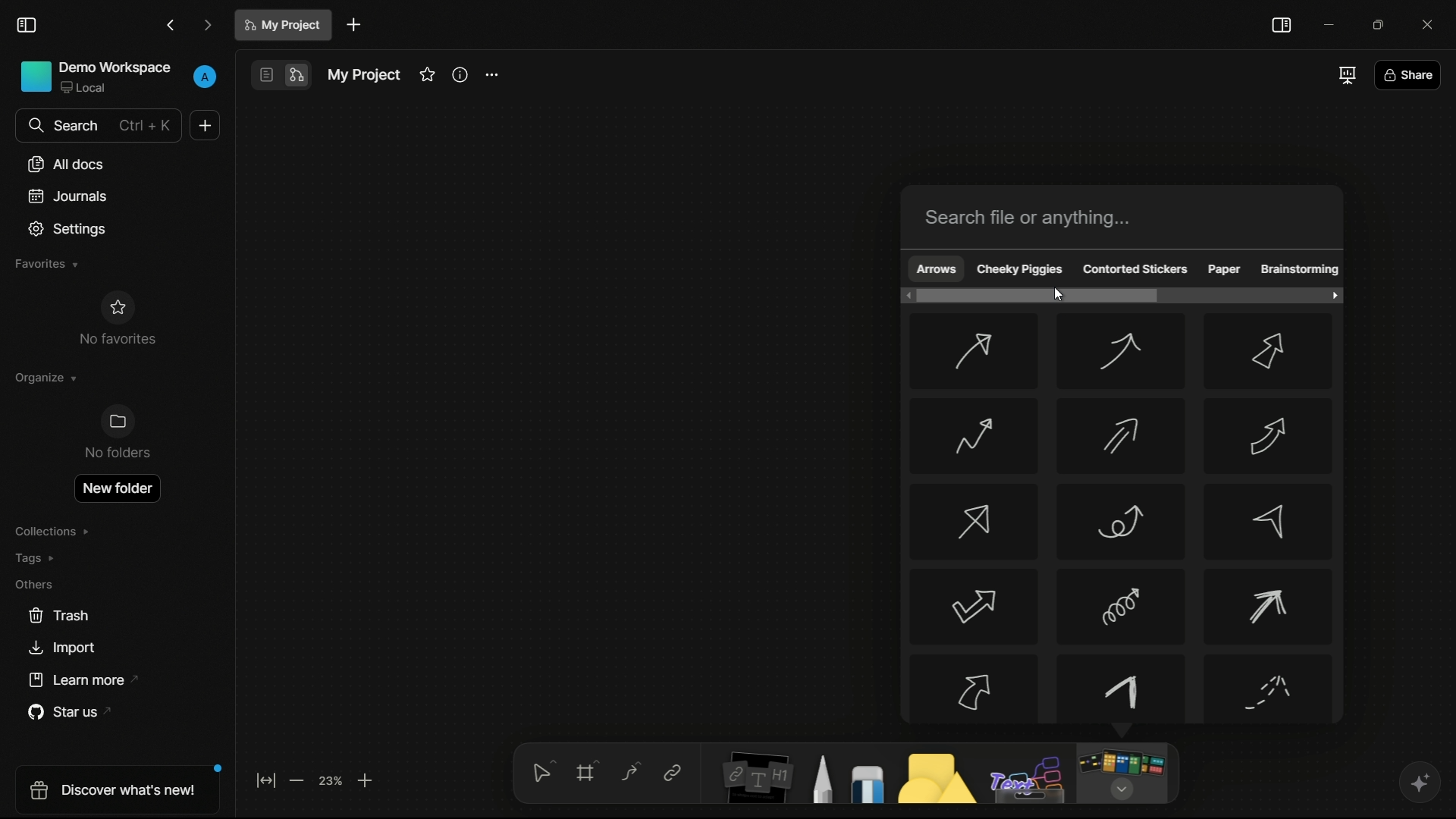  Describe the element at coordinates (936, 268) in the screenshot. I see `arrows` at that location.